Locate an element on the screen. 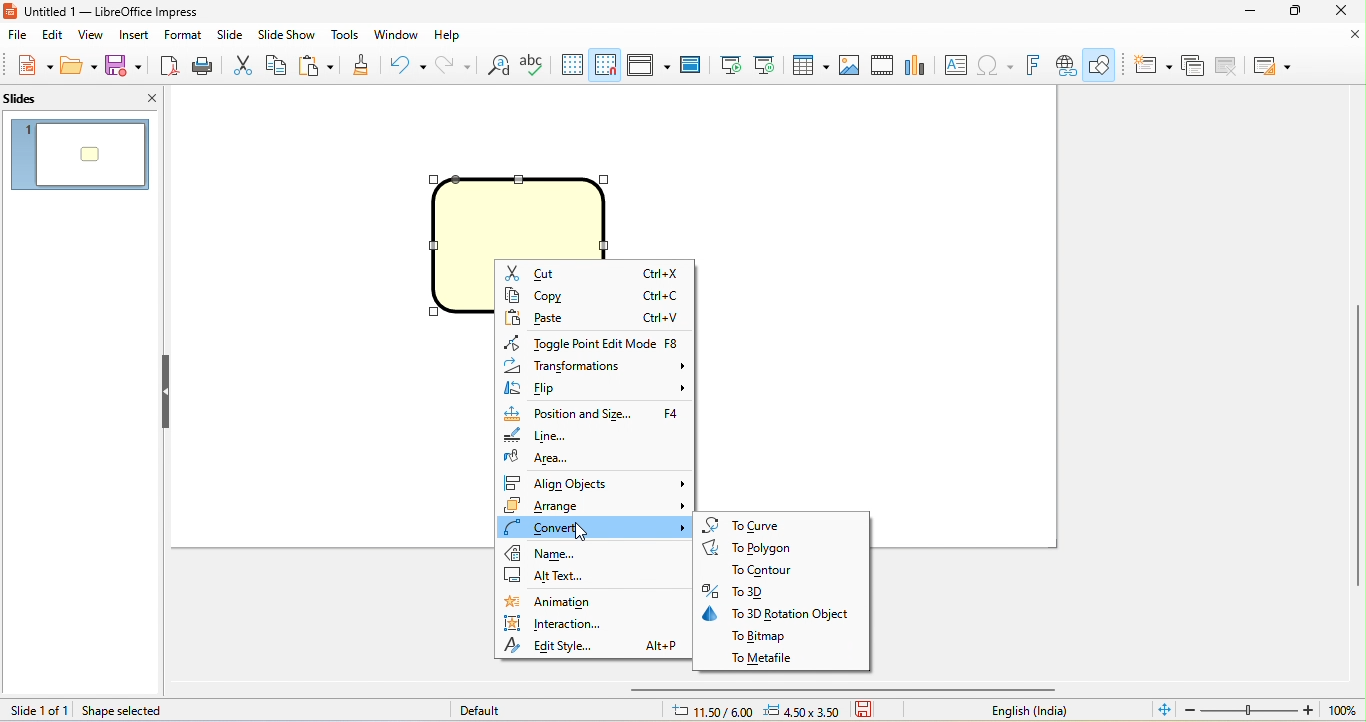 The height and width of the screenshot is (722, 1366). new is located at coordinates (27, 64).